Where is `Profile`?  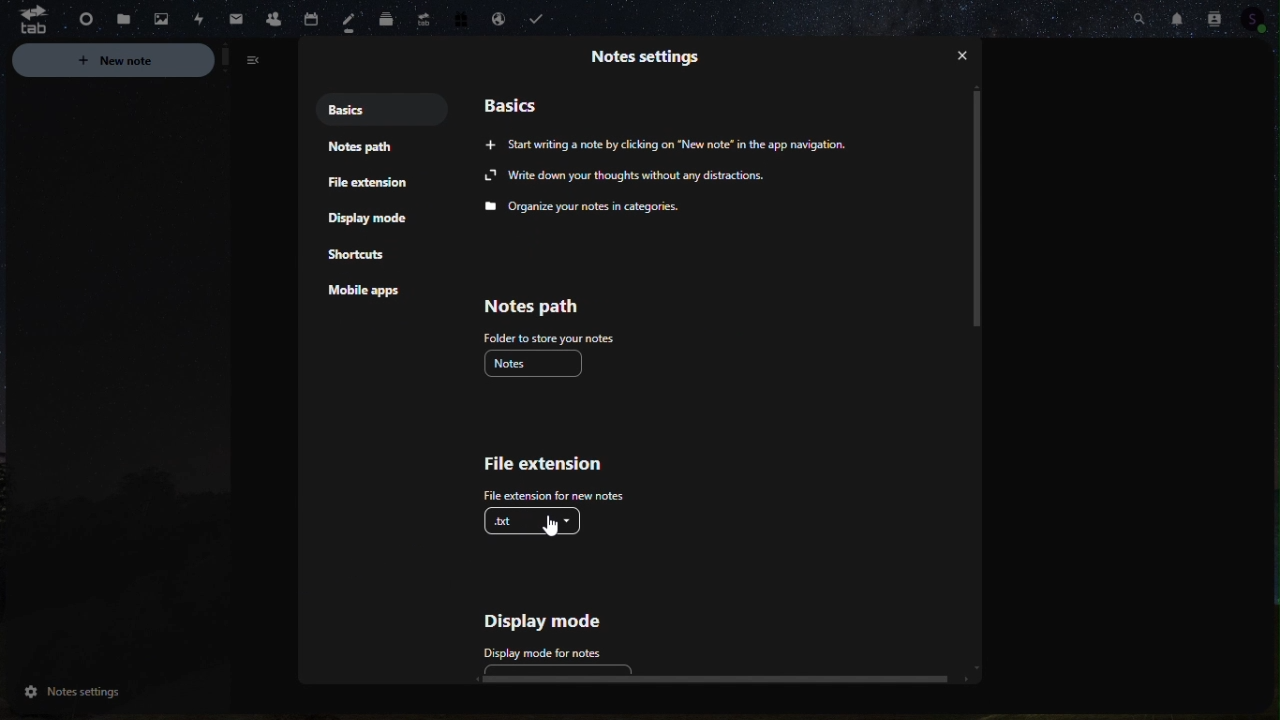 Profile is located at coordinates (1259, 17).